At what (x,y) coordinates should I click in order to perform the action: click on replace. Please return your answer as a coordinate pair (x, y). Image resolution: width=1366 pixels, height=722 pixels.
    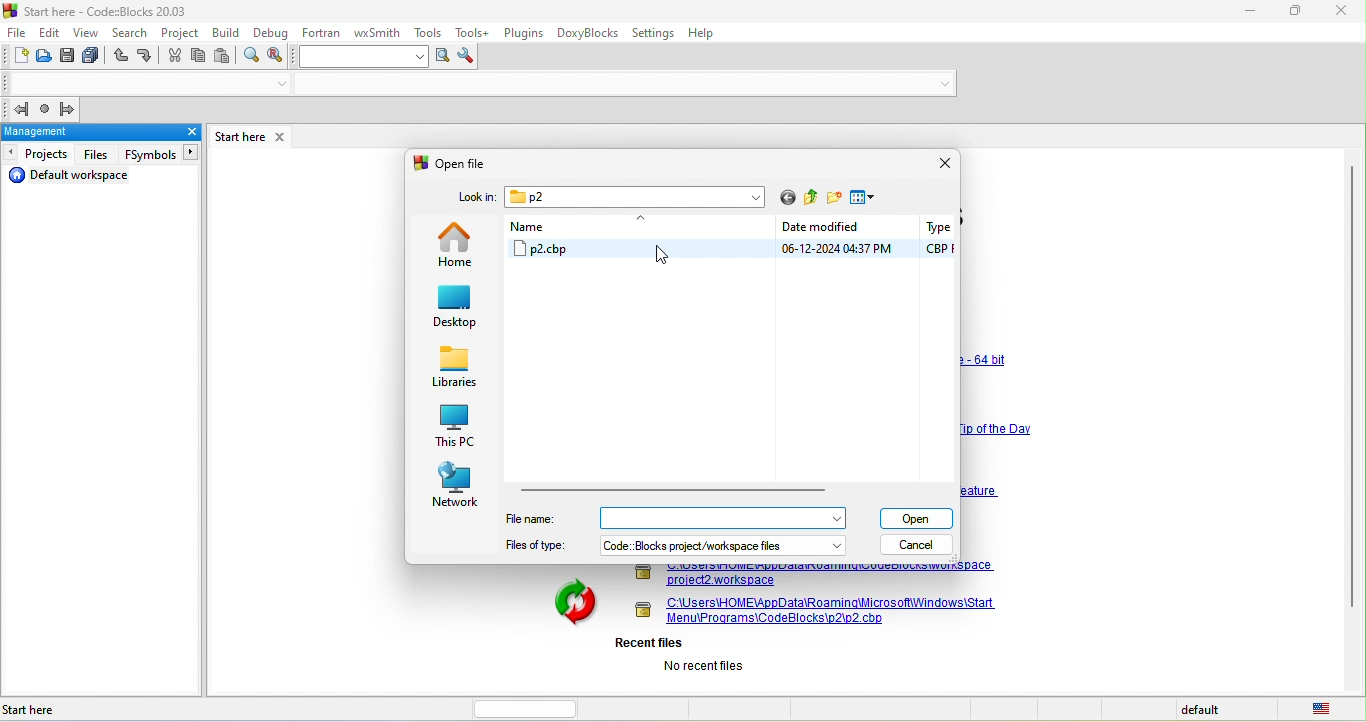
    Looking at the image, I should click on (280, 56).